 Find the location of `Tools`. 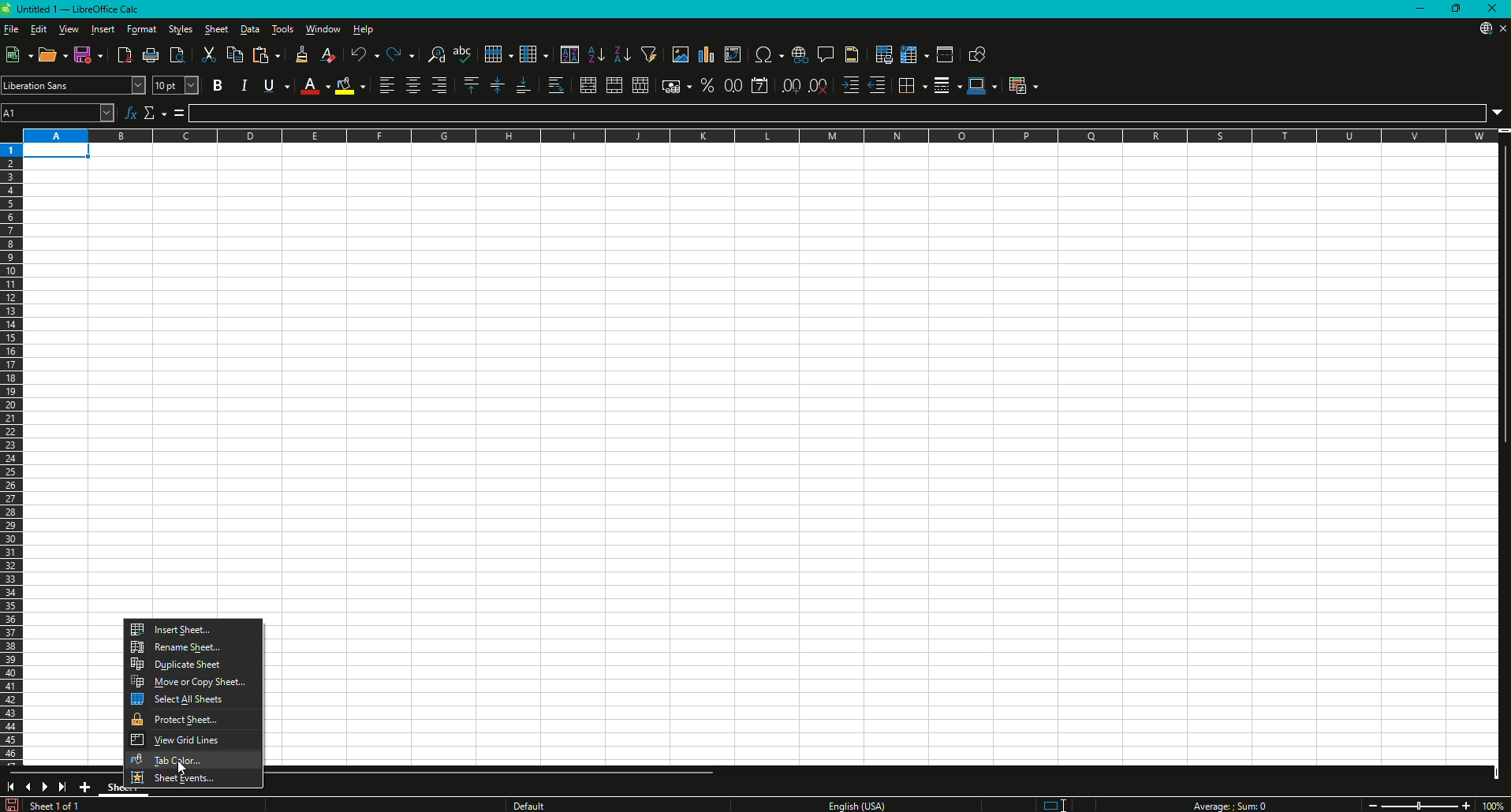

Tools is located at coordinates (283, 28).